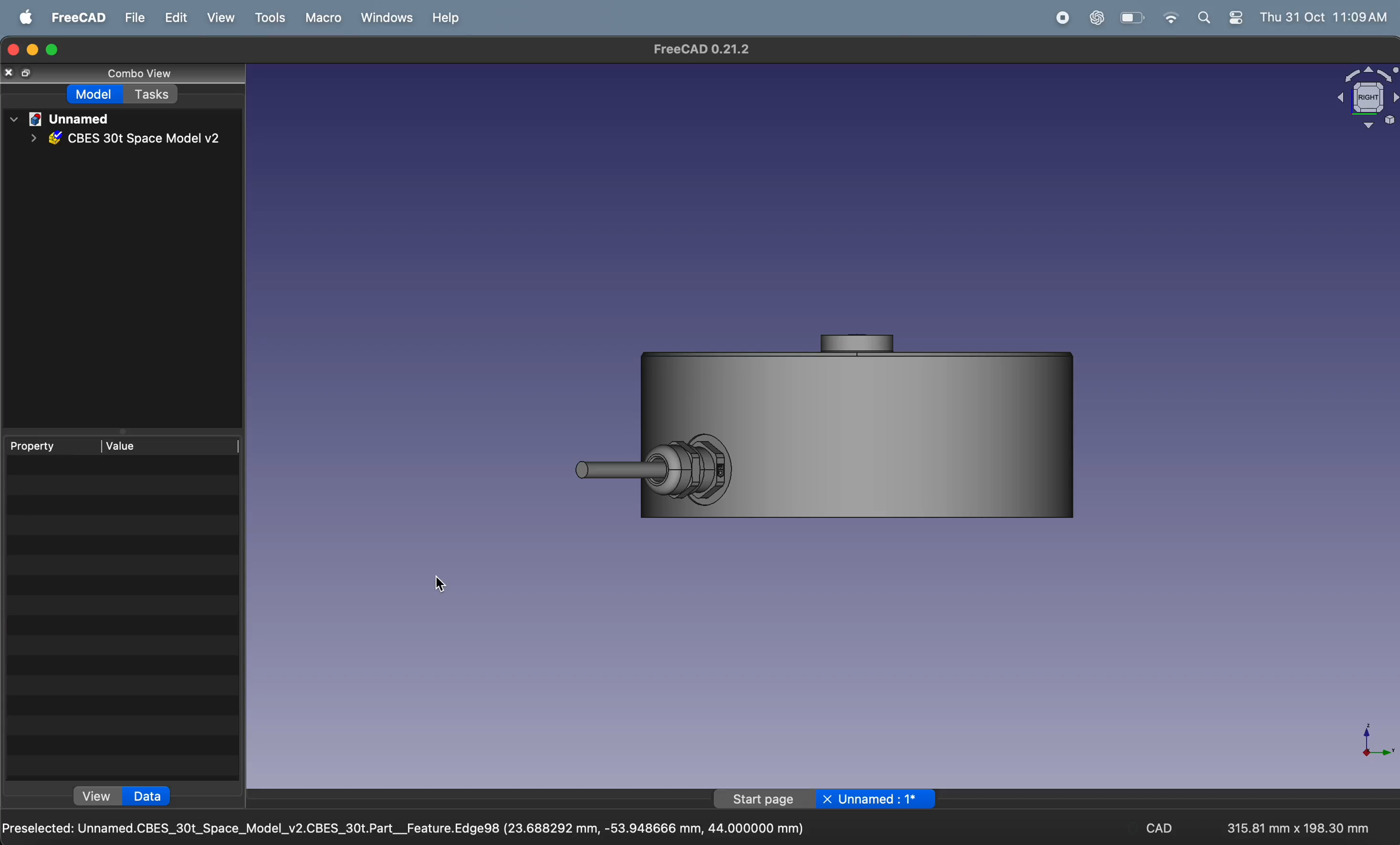  I want to click on CAD, so click(1161, 827).